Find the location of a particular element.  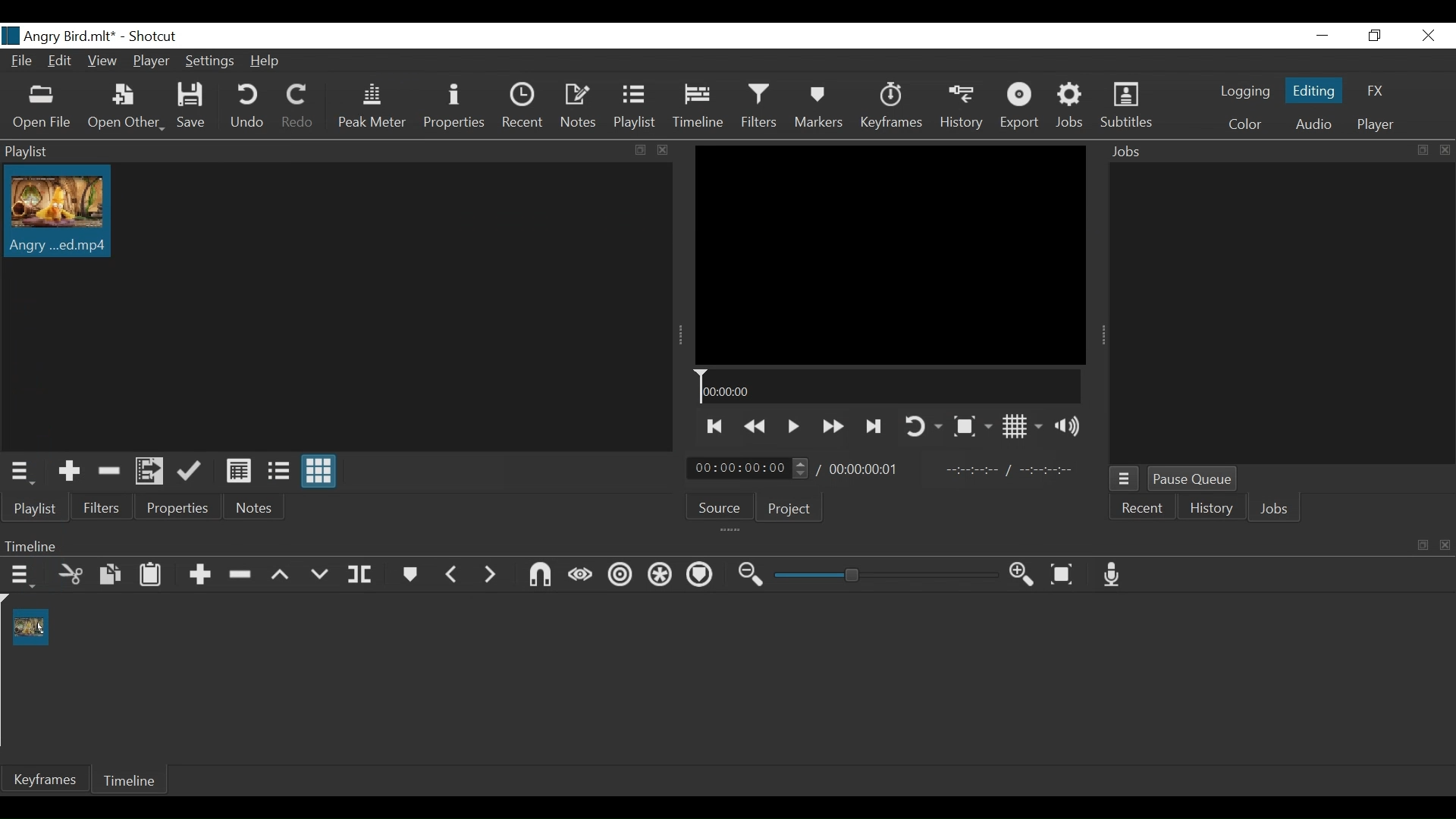

Record audio is located at coordinates (1111, 574).